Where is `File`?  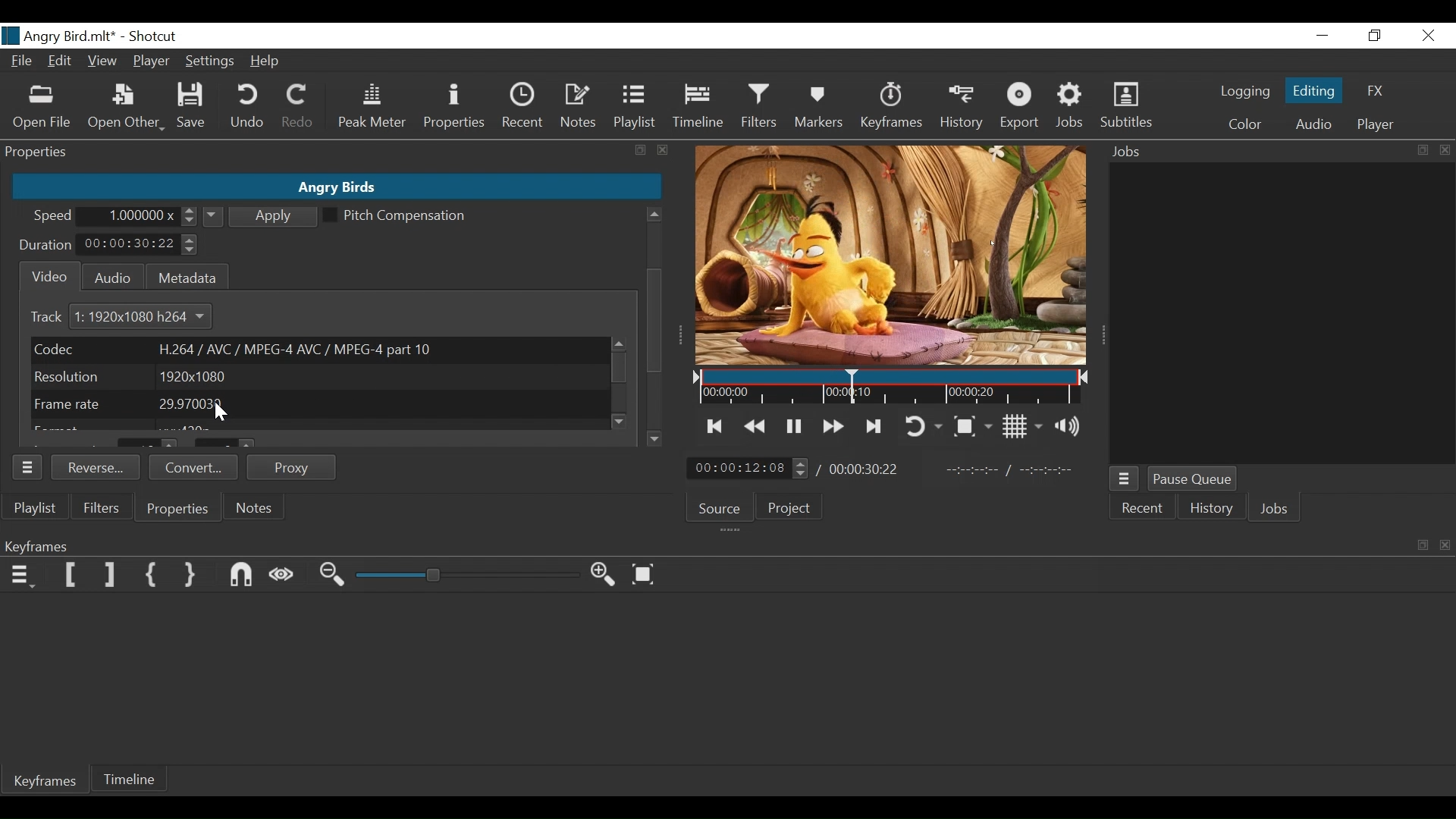 File is located at coordinates (21, 60).